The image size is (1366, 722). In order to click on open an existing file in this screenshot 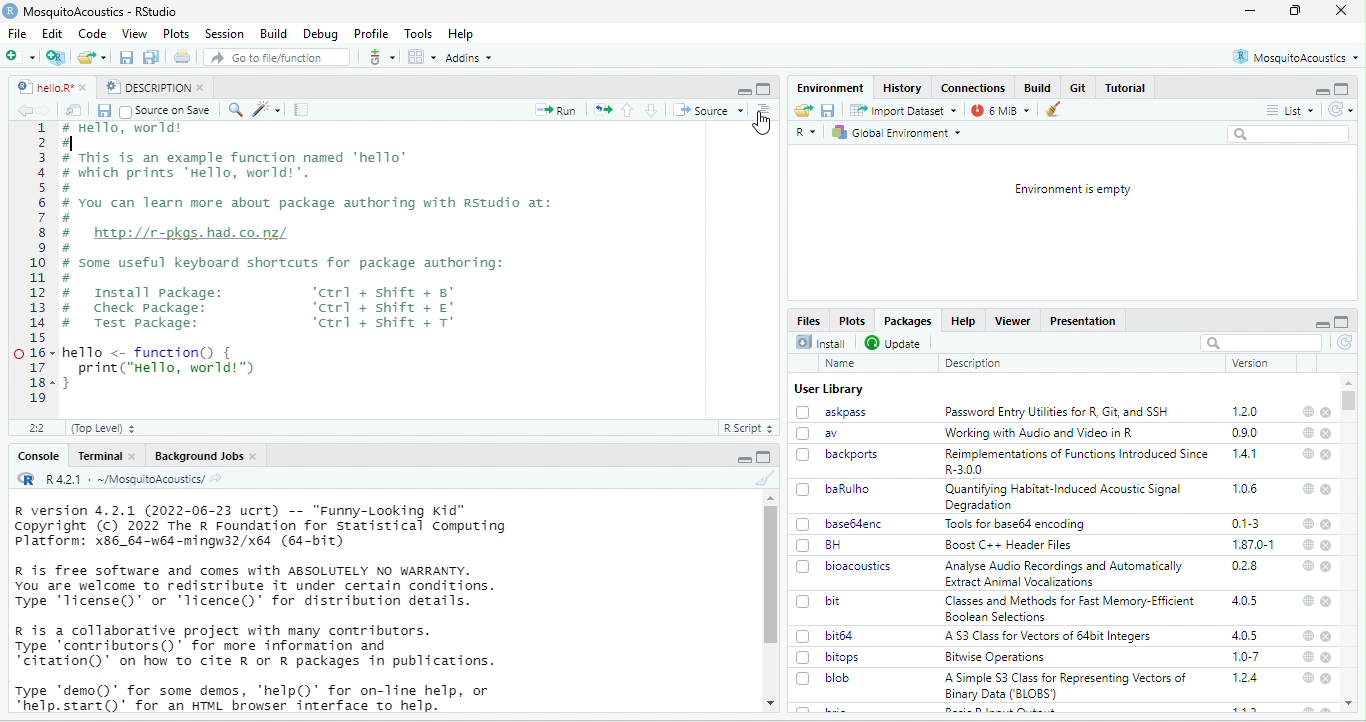, I will do `click(93, 56)`.